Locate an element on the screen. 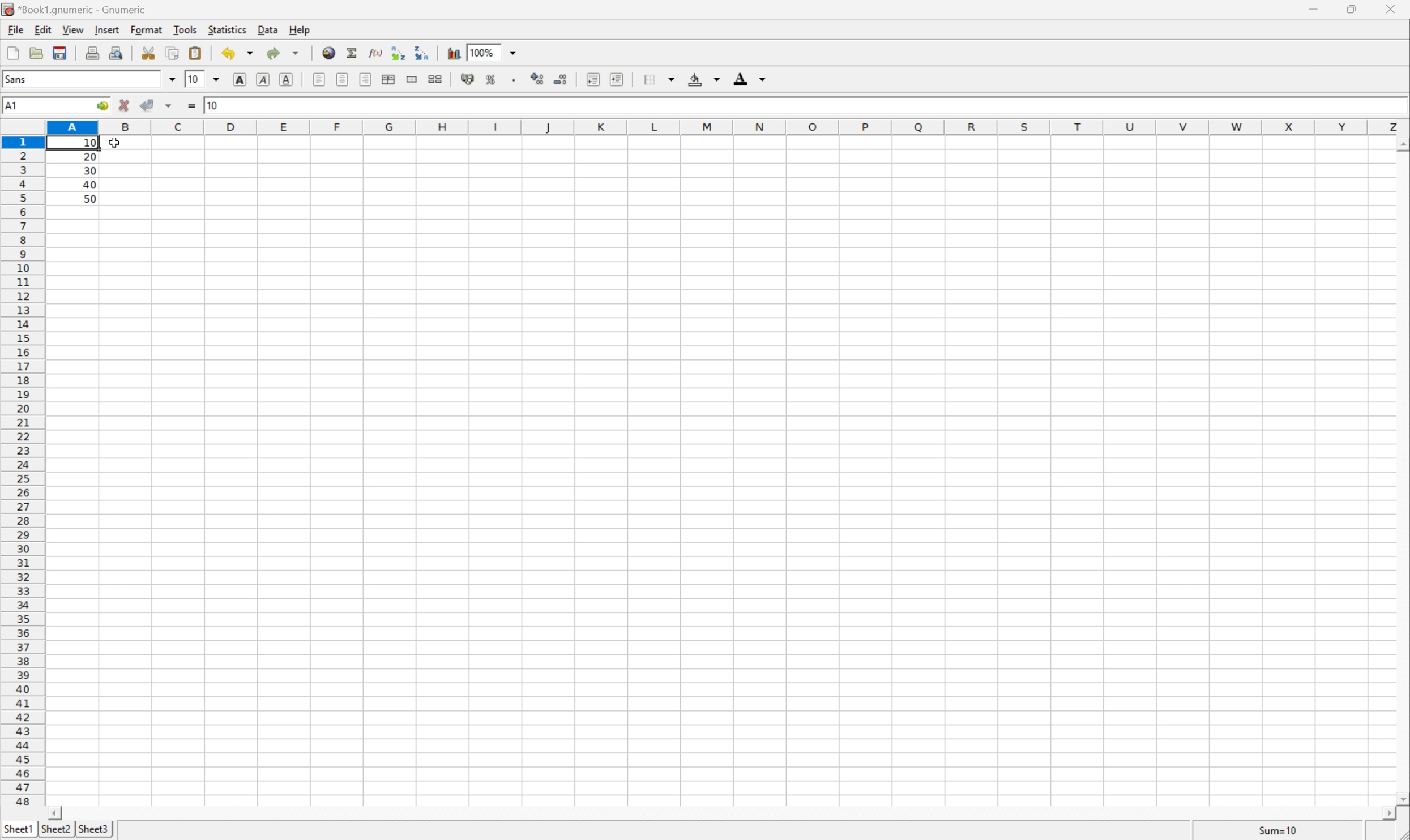 Image resolution: width=1410 pixels, height=840 pixels. Format is located at coordinates (147, 29).